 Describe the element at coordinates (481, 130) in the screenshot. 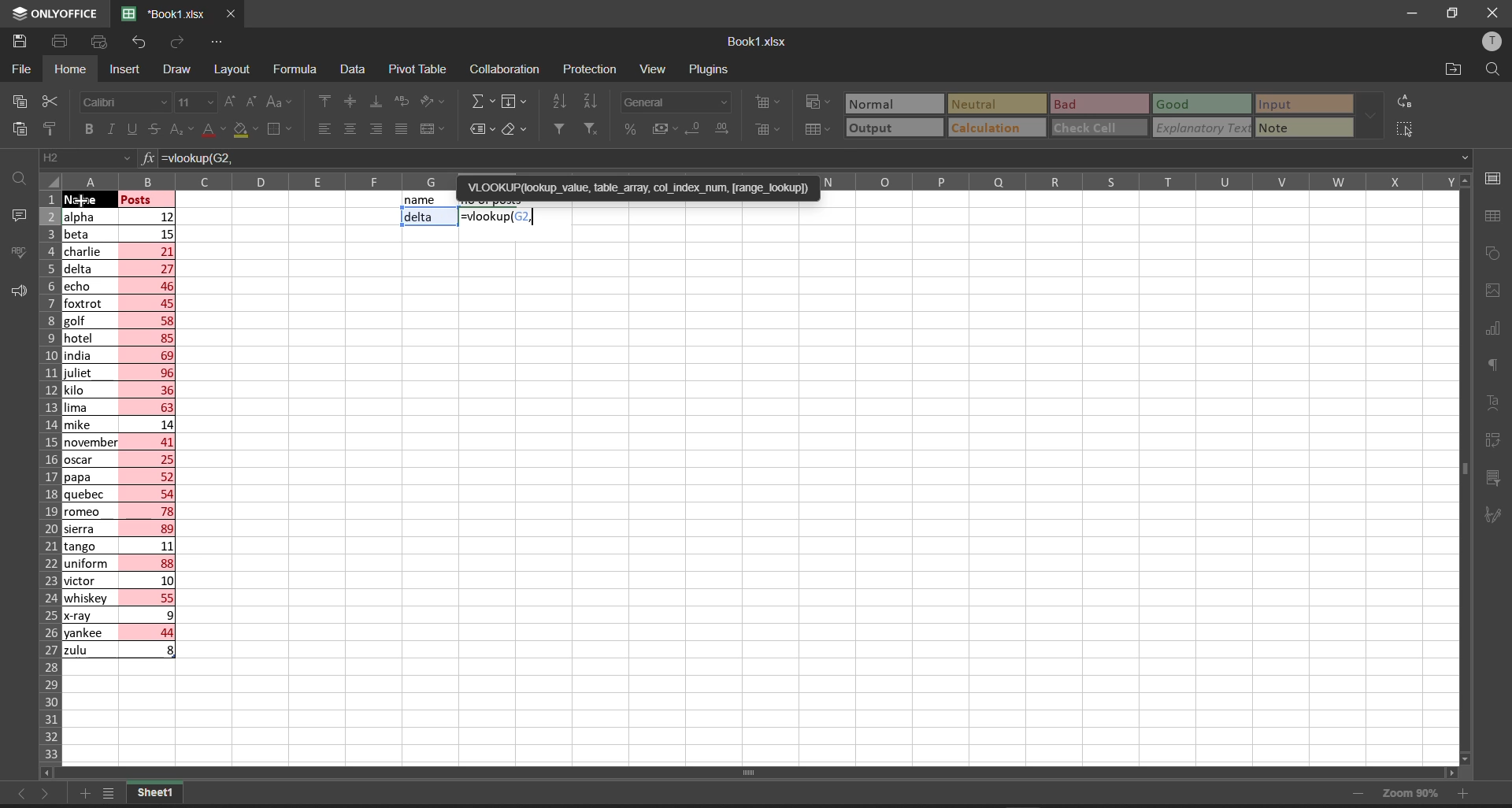

I see `named ranges` at that location.